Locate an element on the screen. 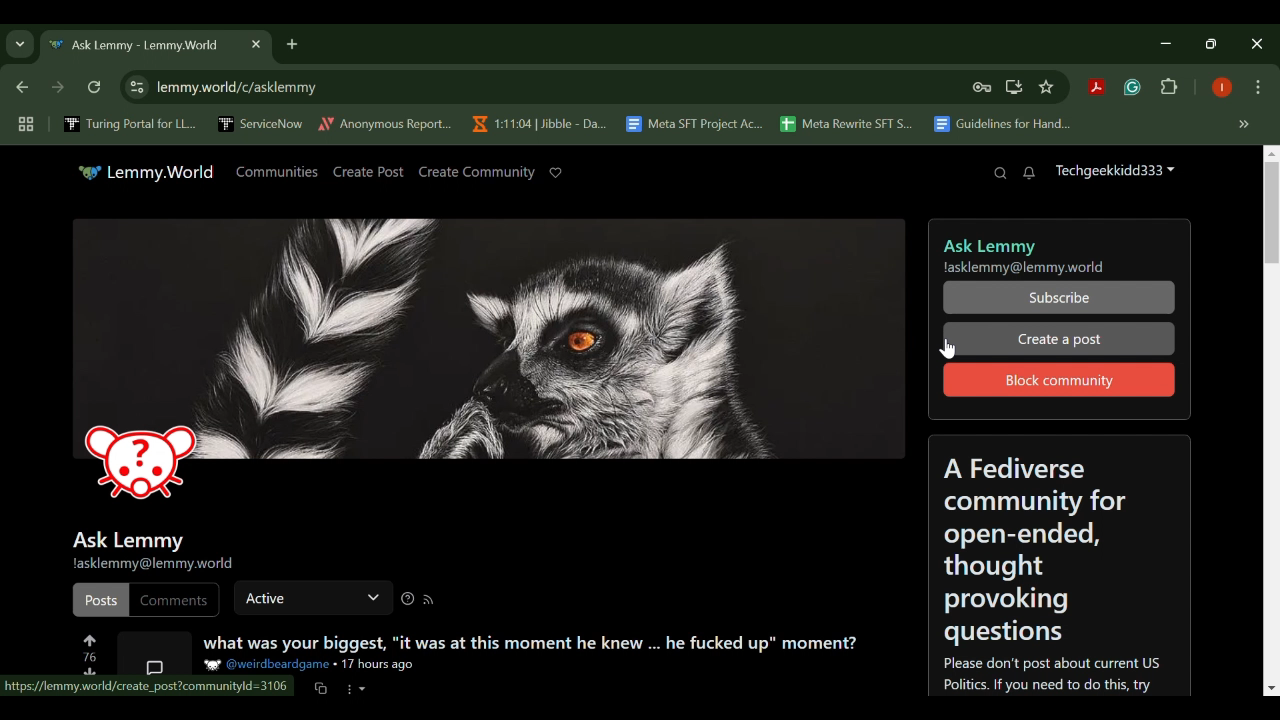  Active is located at coordinates (308, 595).